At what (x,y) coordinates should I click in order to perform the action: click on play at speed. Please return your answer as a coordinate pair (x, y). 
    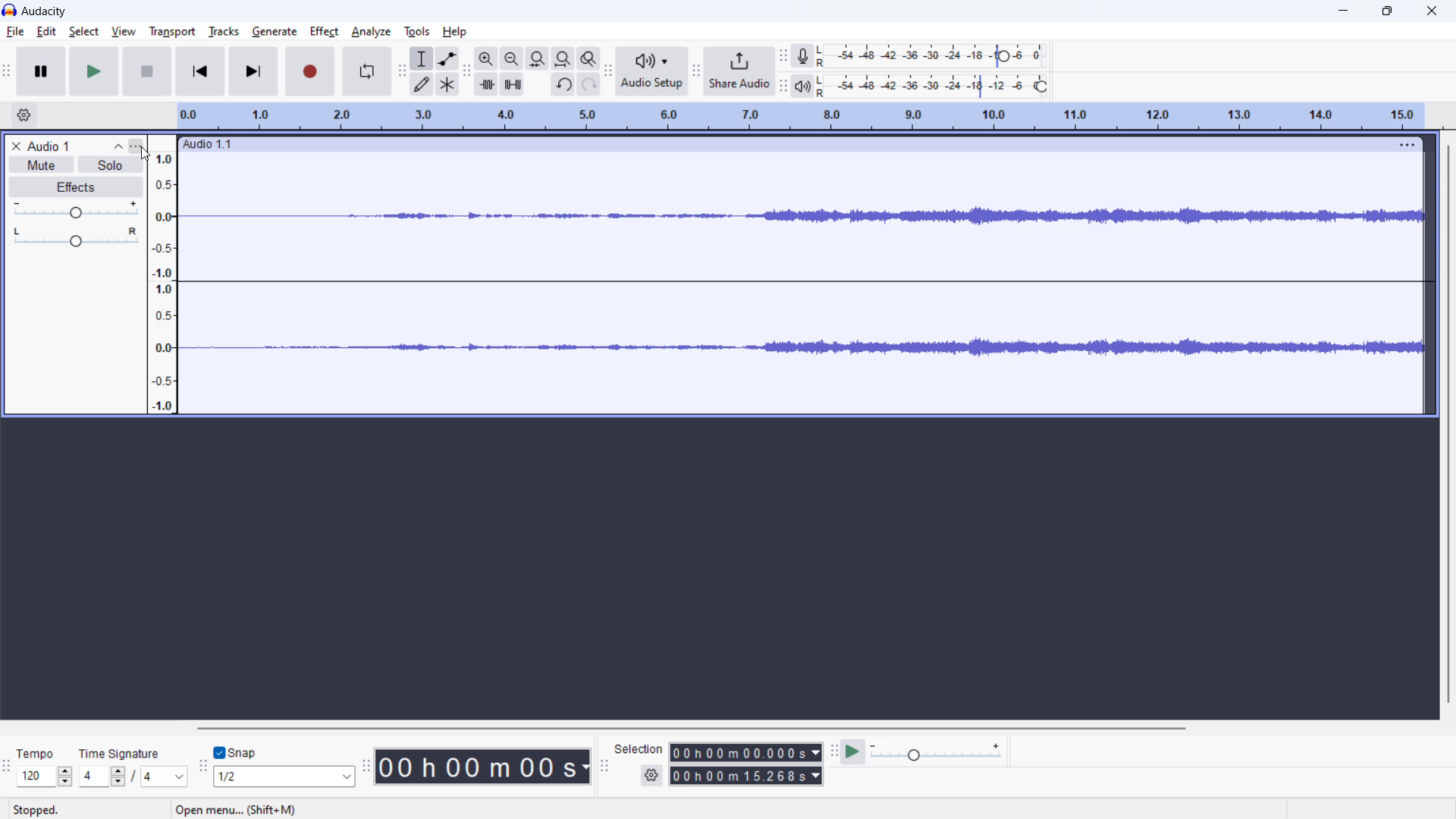
    Looking at the image, I should click on (853, 752).